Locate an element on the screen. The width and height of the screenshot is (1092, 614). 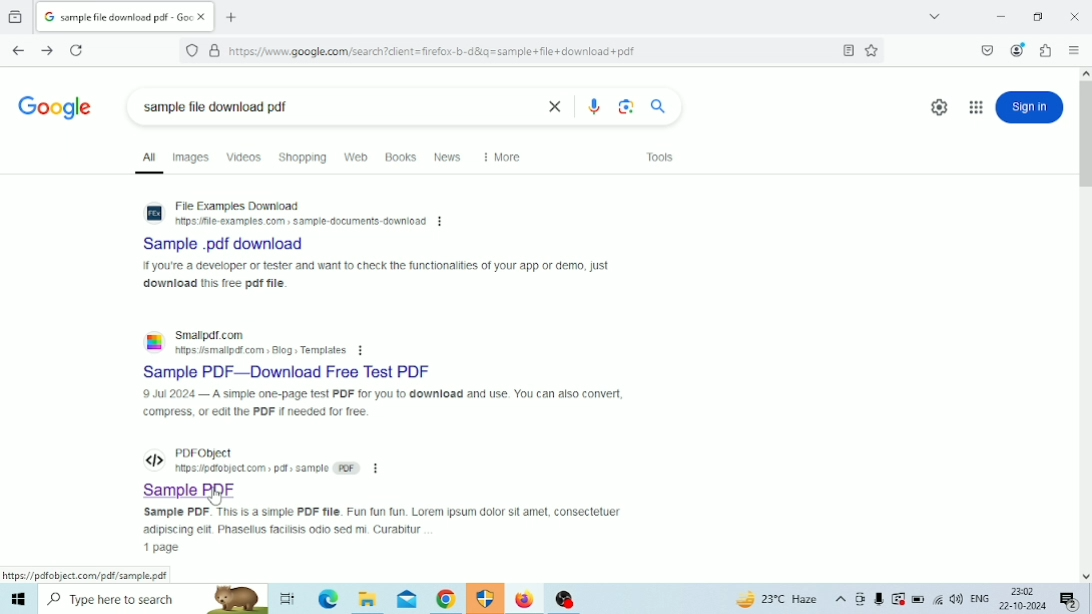
Temperature is located at coordinates (776, 599).